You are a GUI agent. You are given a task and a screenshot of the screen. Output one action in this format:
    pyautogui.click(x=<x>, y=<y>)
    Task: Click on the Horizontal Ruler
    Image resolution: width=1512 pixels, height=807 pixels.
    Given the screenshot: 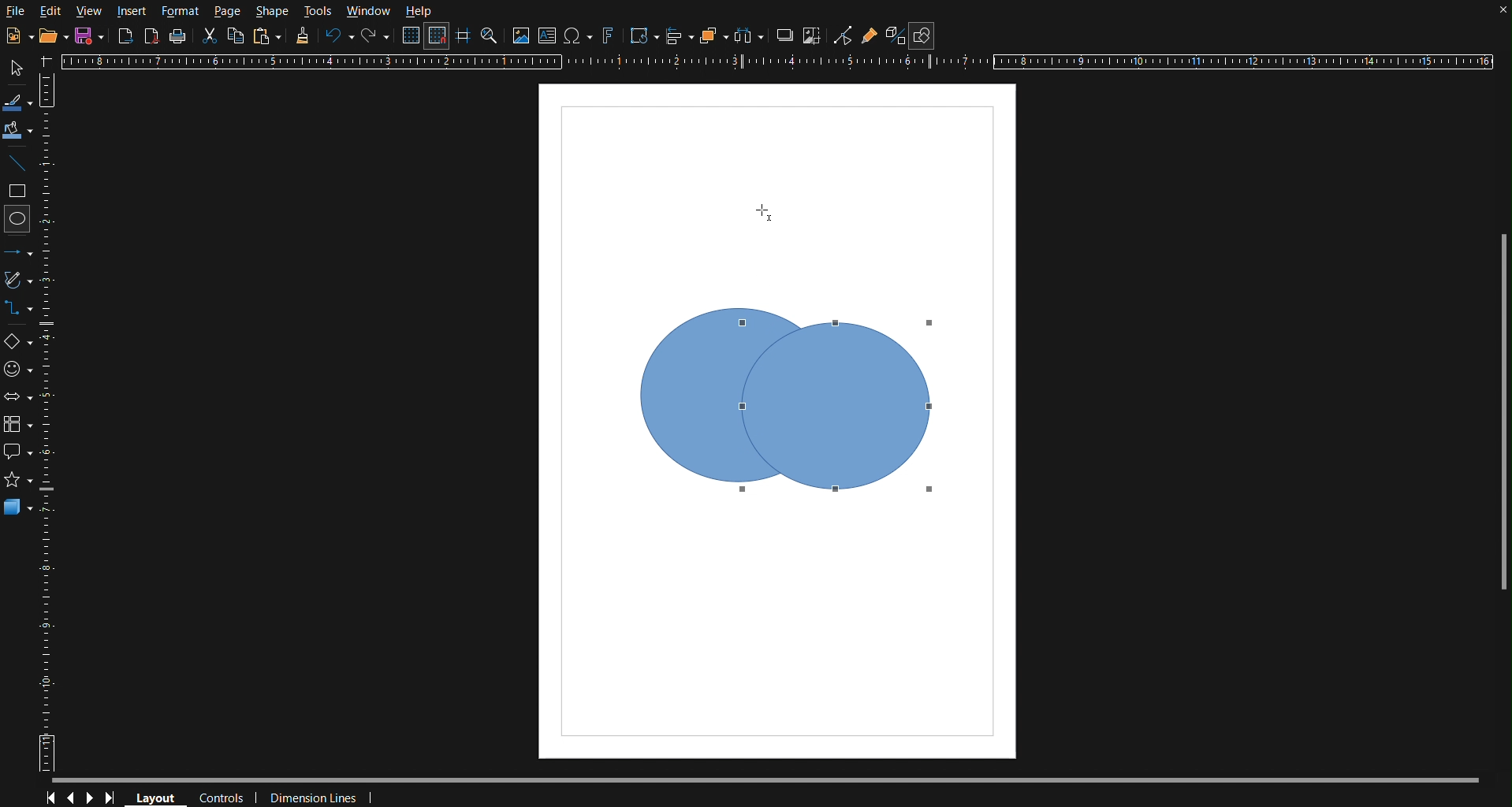 What is the action you would take?
    pyautogui.click(x=784, y=62)
    